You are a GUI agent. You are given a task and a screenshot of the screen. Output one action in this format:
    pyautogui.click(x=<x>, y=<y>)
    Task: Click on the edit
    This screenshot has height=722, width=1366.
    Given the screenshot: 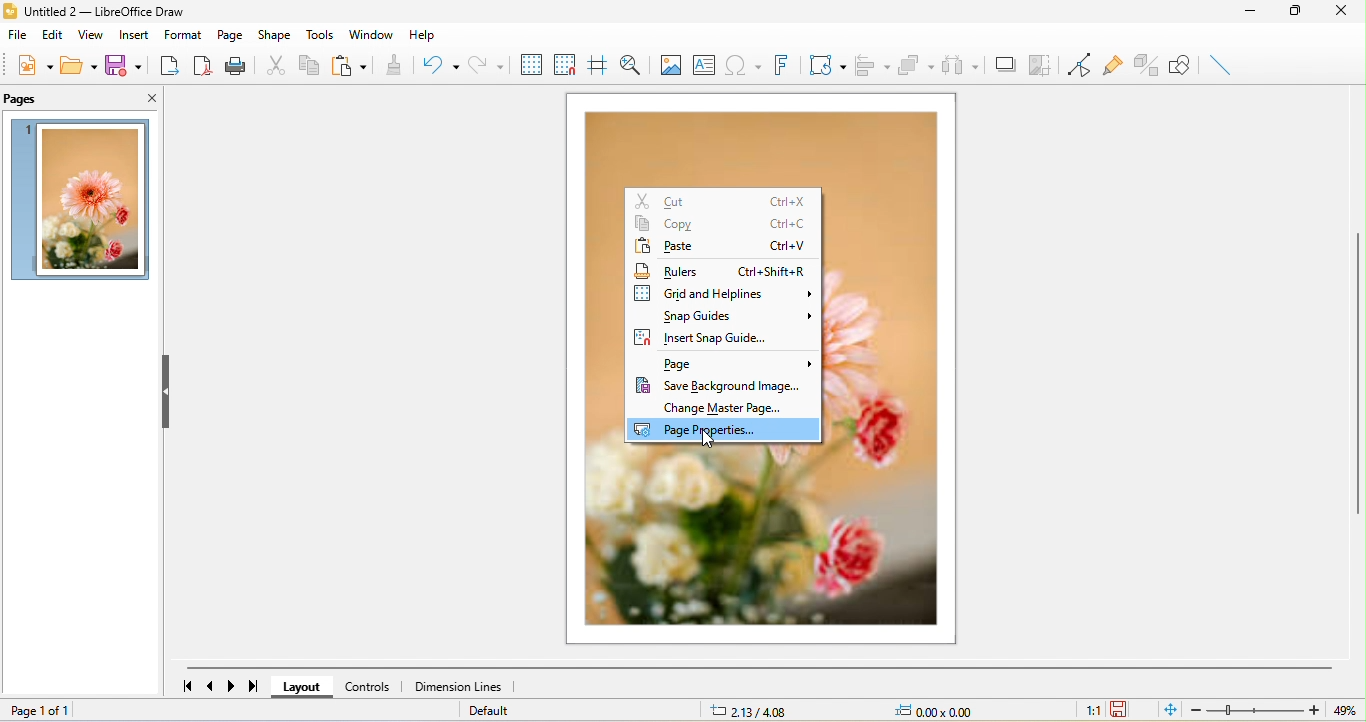 What is the action you would take?
    pyautogui.click(x=55, y=34)
    